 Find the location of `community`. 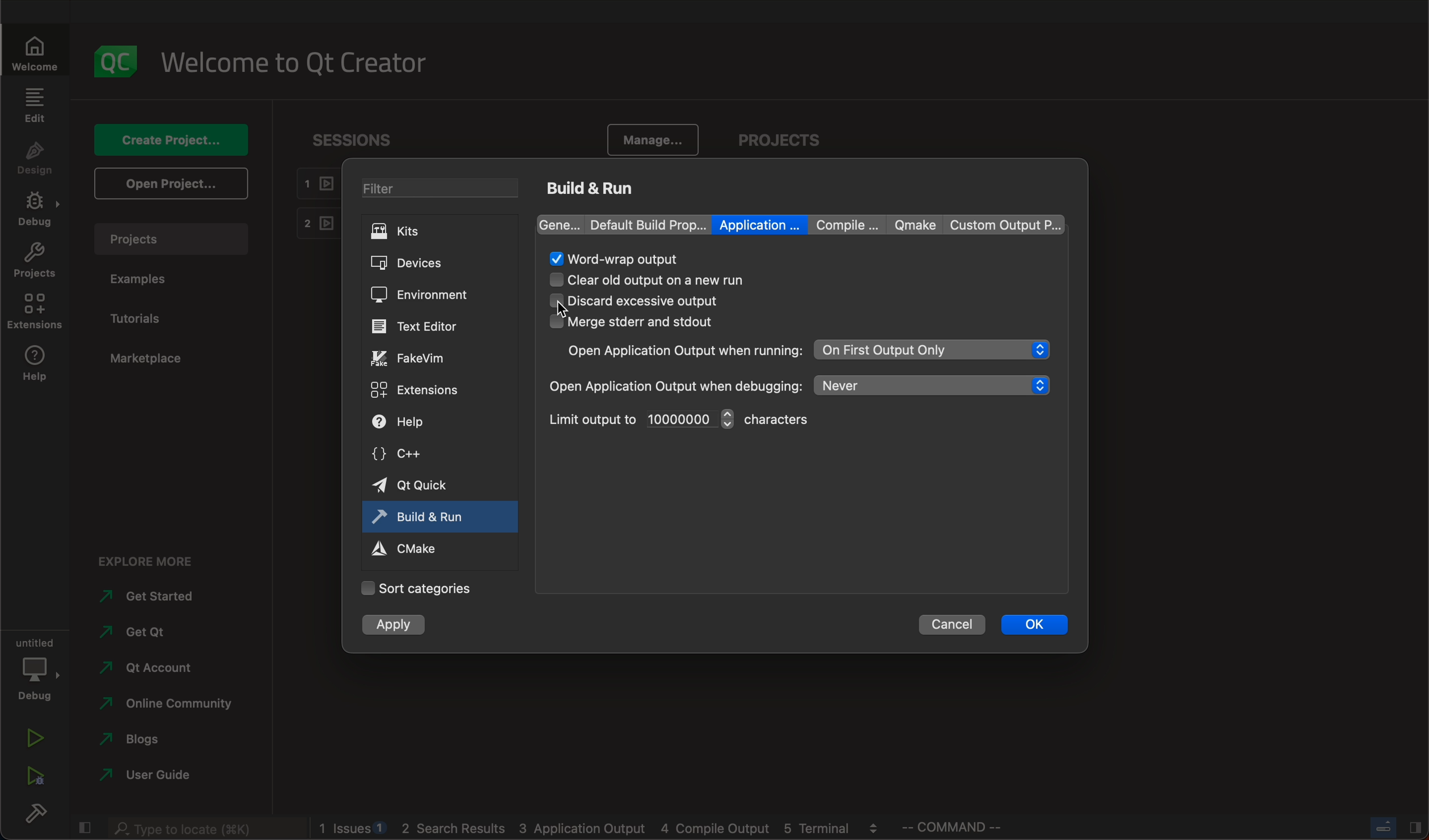

community is located at coordinates (162, 706).